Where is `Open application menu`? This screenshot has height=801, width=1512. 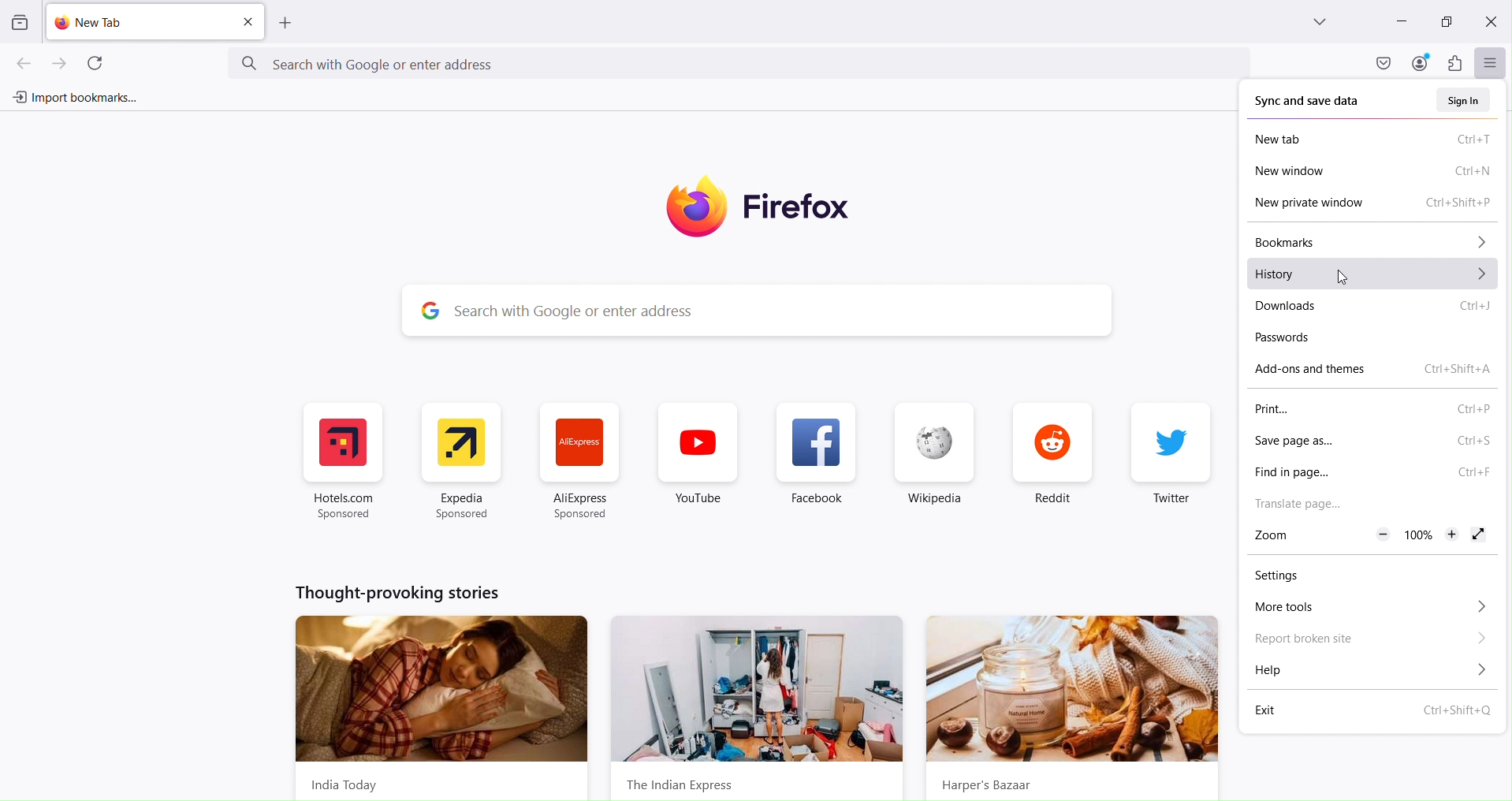
Open application menu is located at coordinates (1490, 61).